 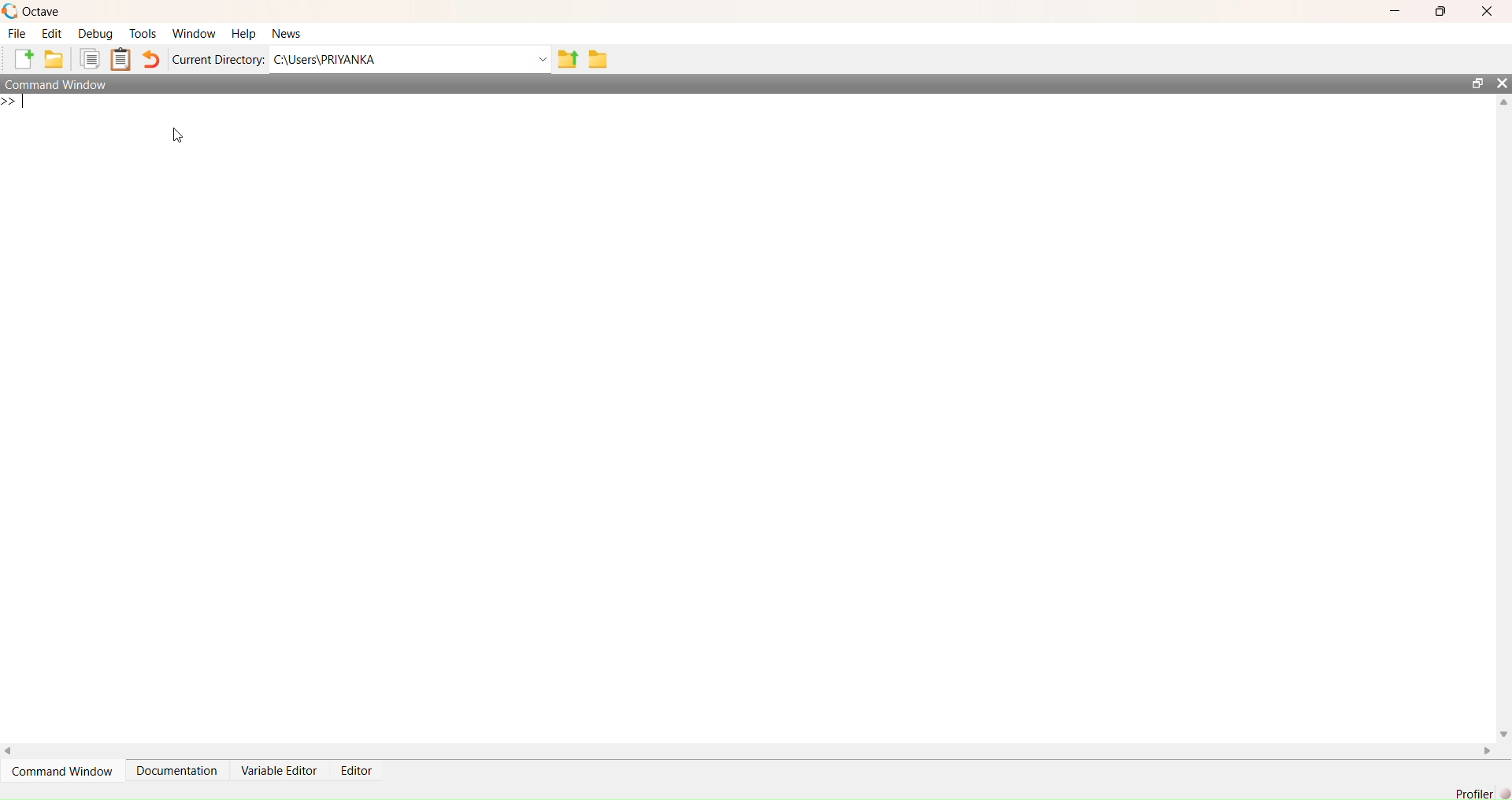 I want to click on ‘Window, so click(x=193, y=30).